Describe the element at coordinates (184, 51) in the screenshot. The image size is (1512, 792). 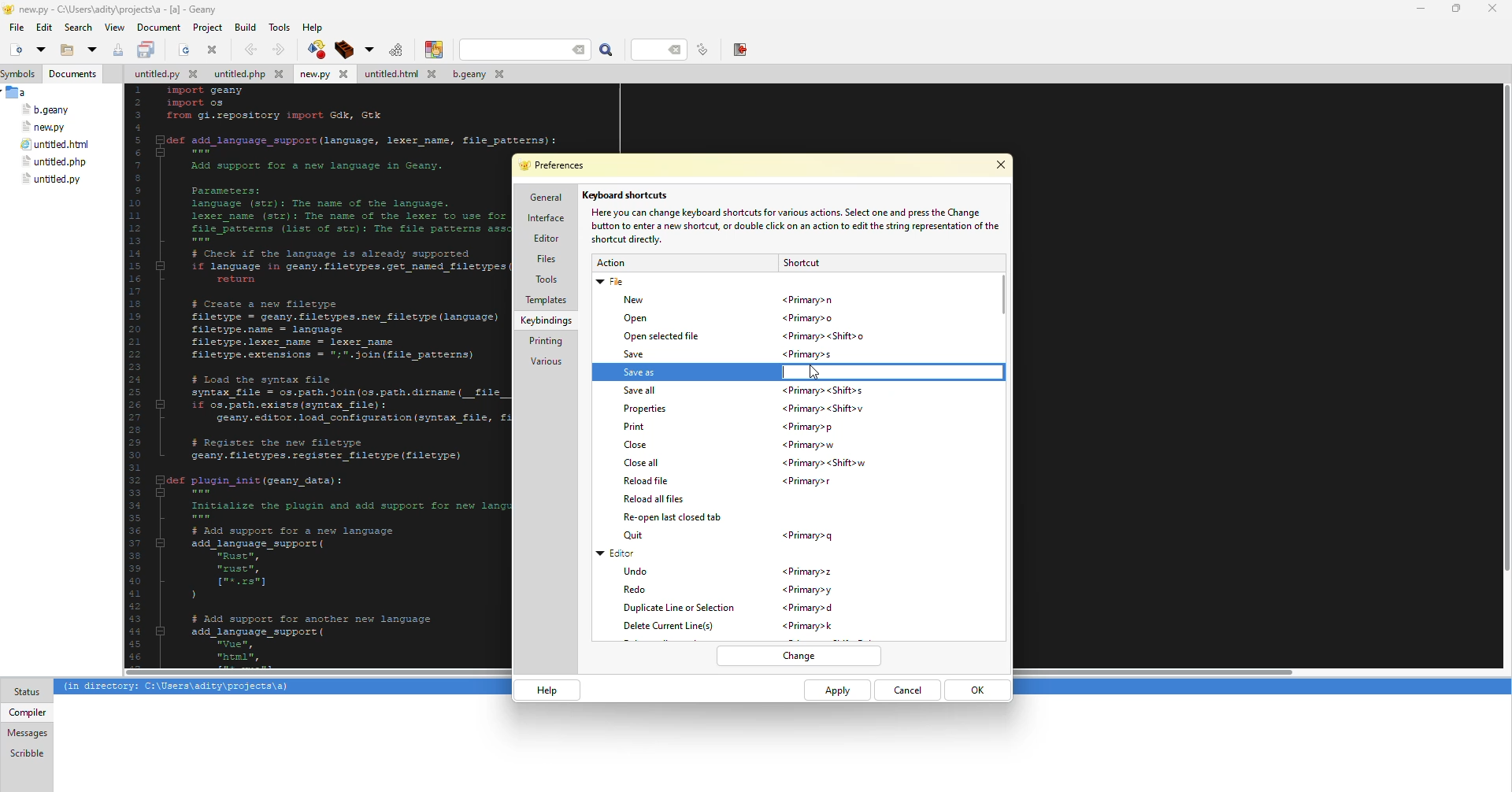
I see `open` at that location.